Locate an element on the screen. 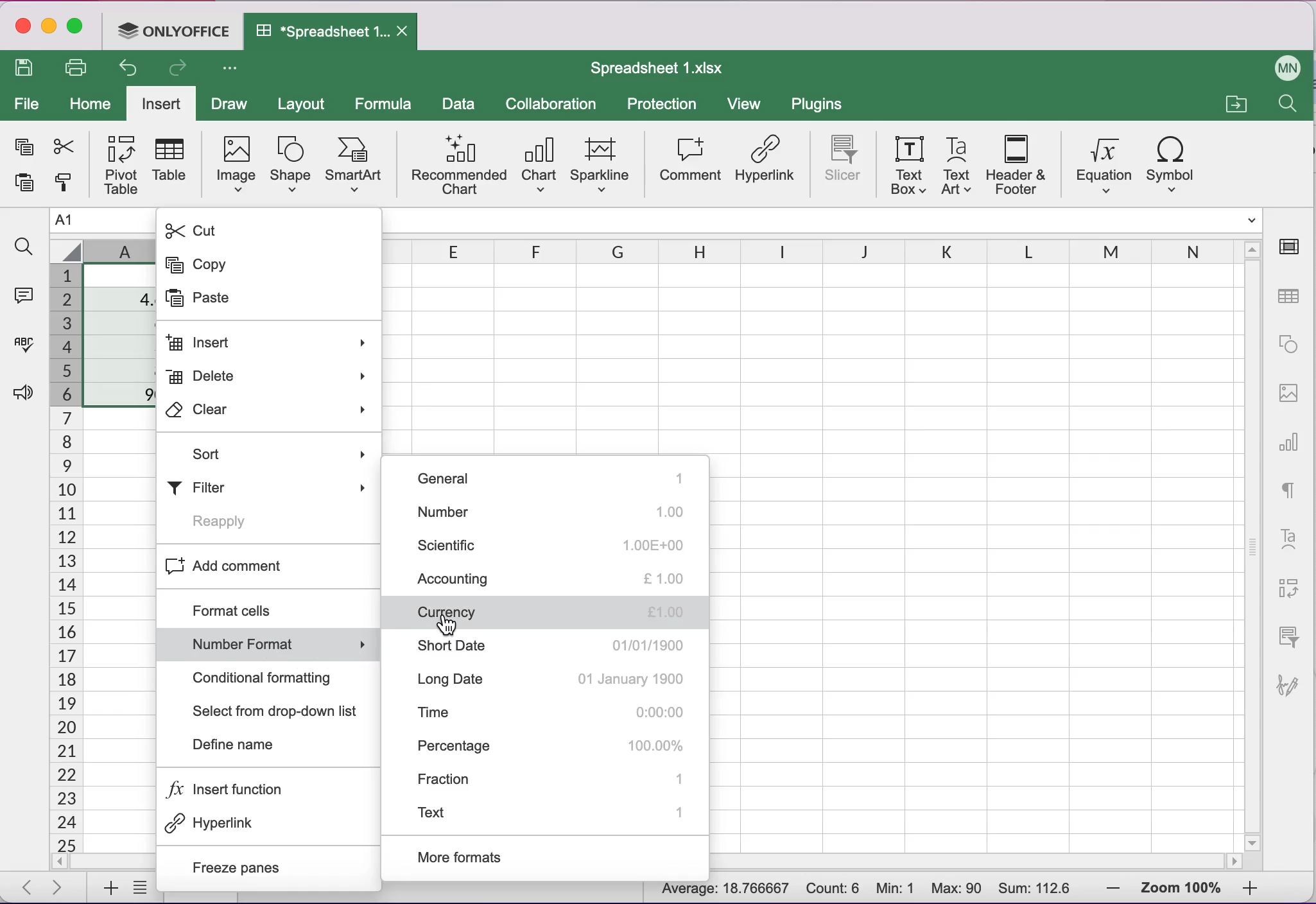 This screenshot has width=1316, height=904. Min: 1 is located at coordinates (897, 888).